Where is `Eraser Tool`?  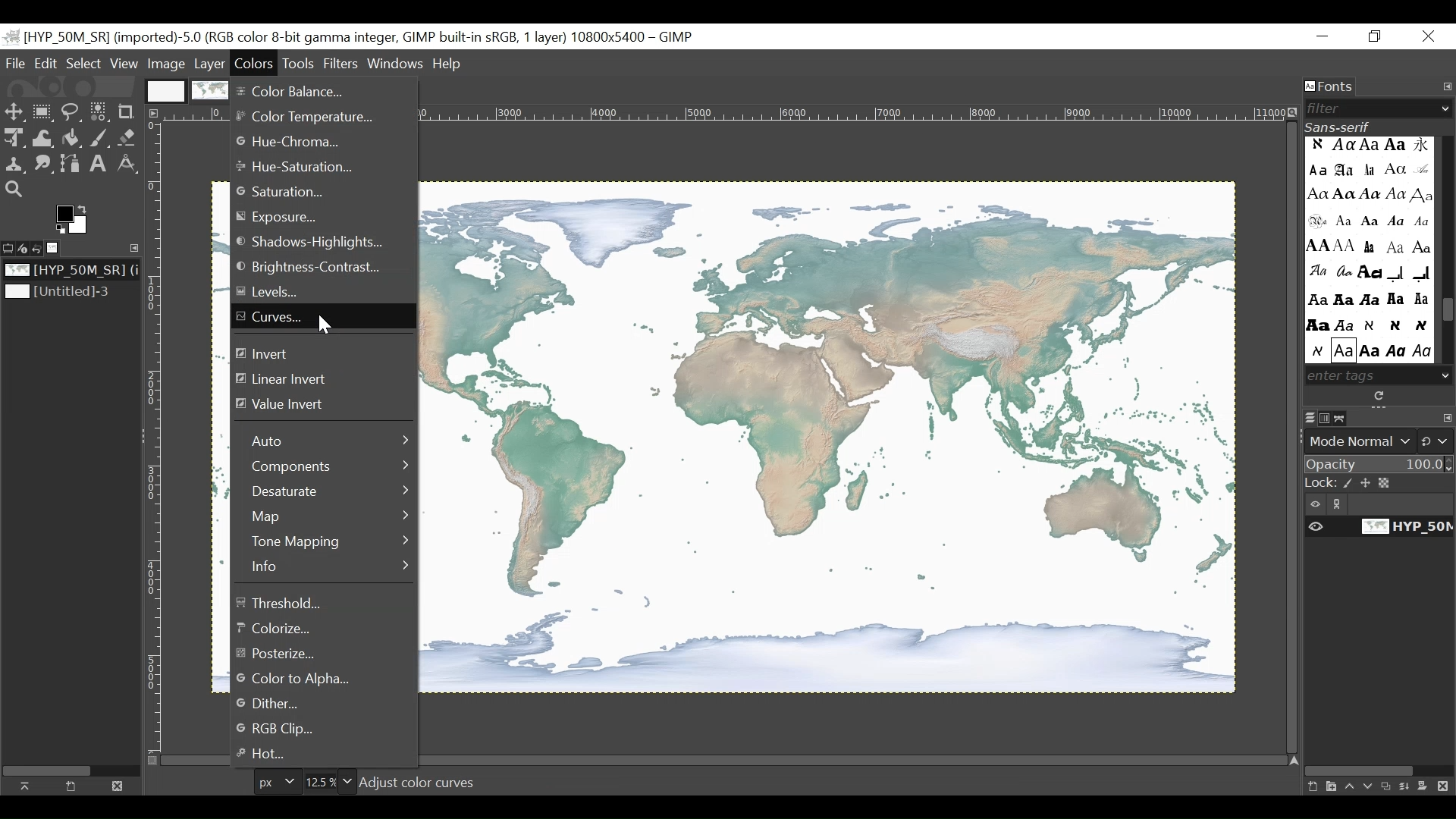 Eraser Tool is located at coordinates (128, 140).